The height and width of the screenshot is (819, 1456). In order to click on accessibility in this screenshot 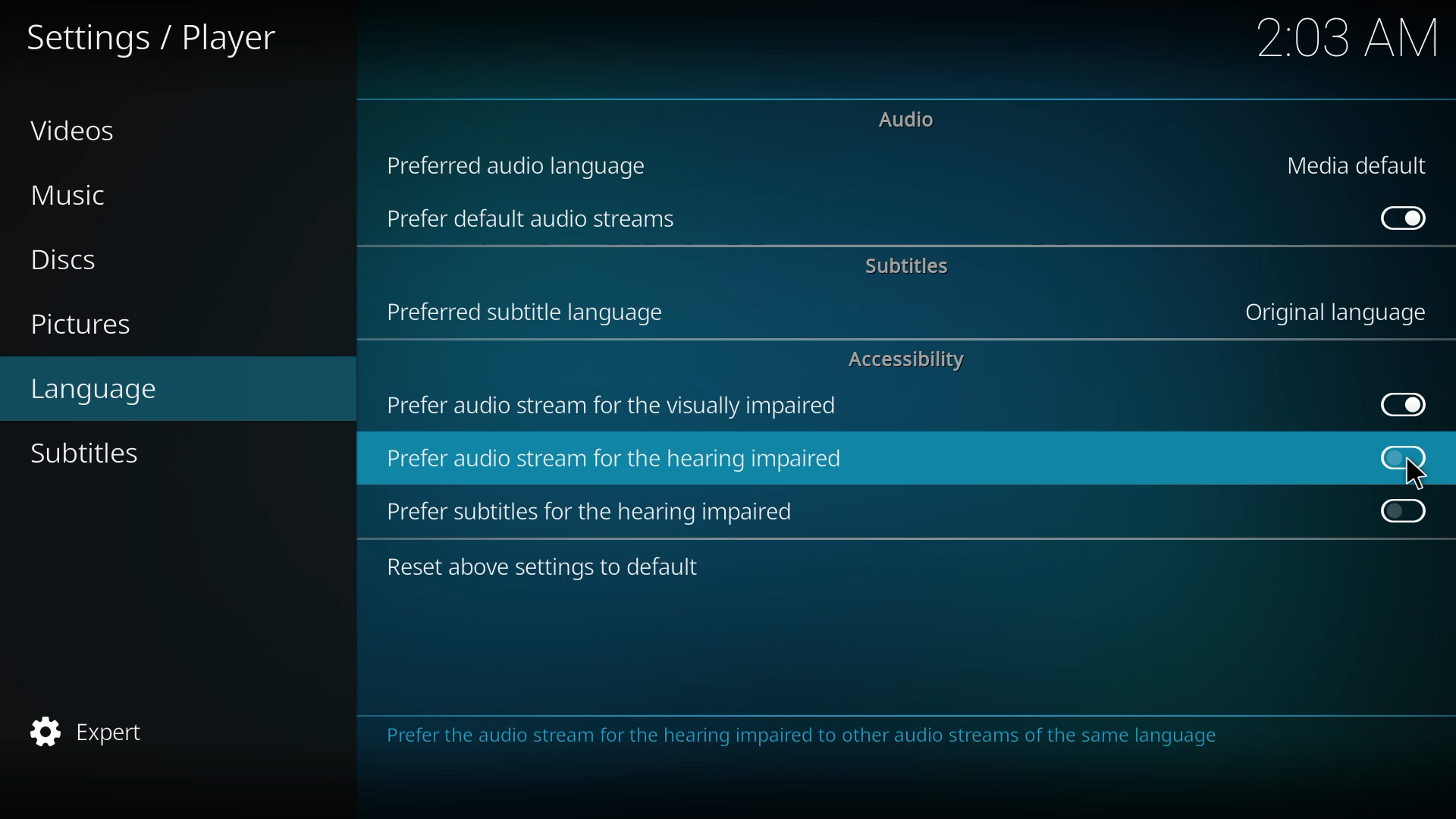, I will do `click(912, 361)`.